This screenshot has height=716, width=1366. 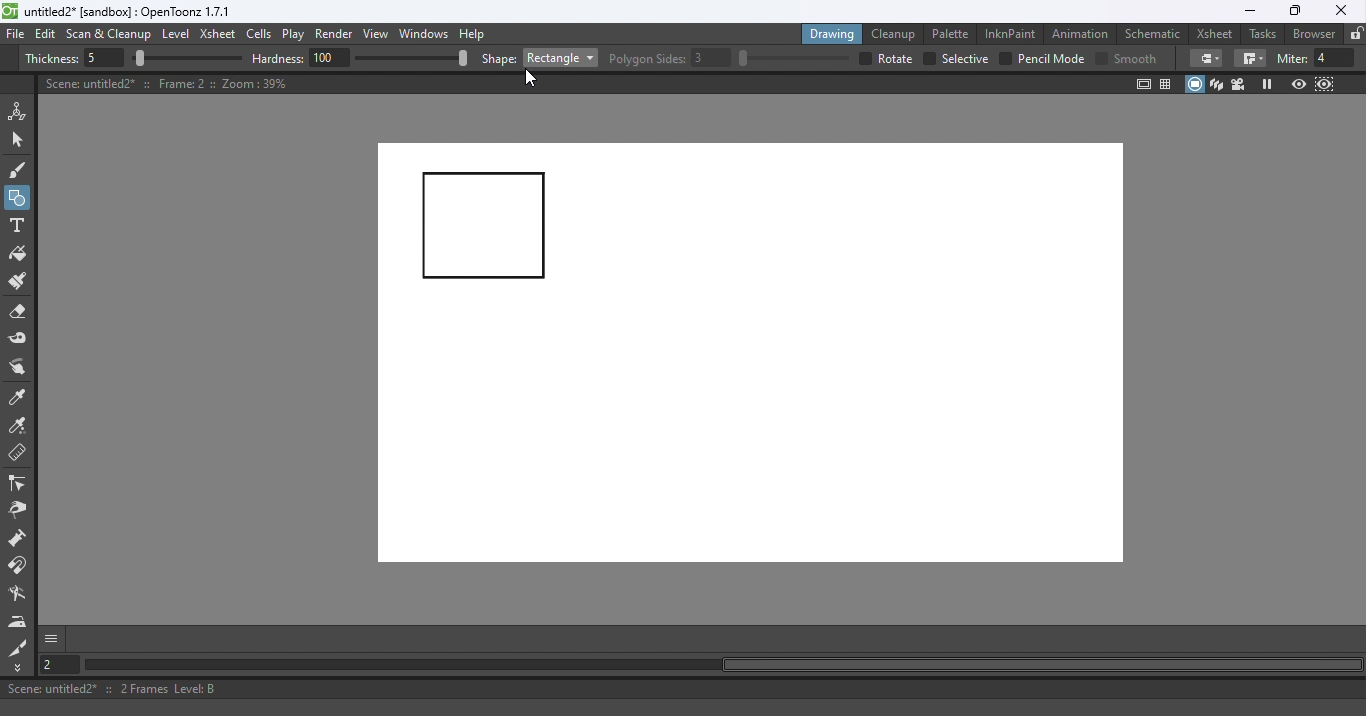 What do you see at coordinates (22, 169) in the screenshot?
I see `Brush tool` at bounding box center [22, 169].